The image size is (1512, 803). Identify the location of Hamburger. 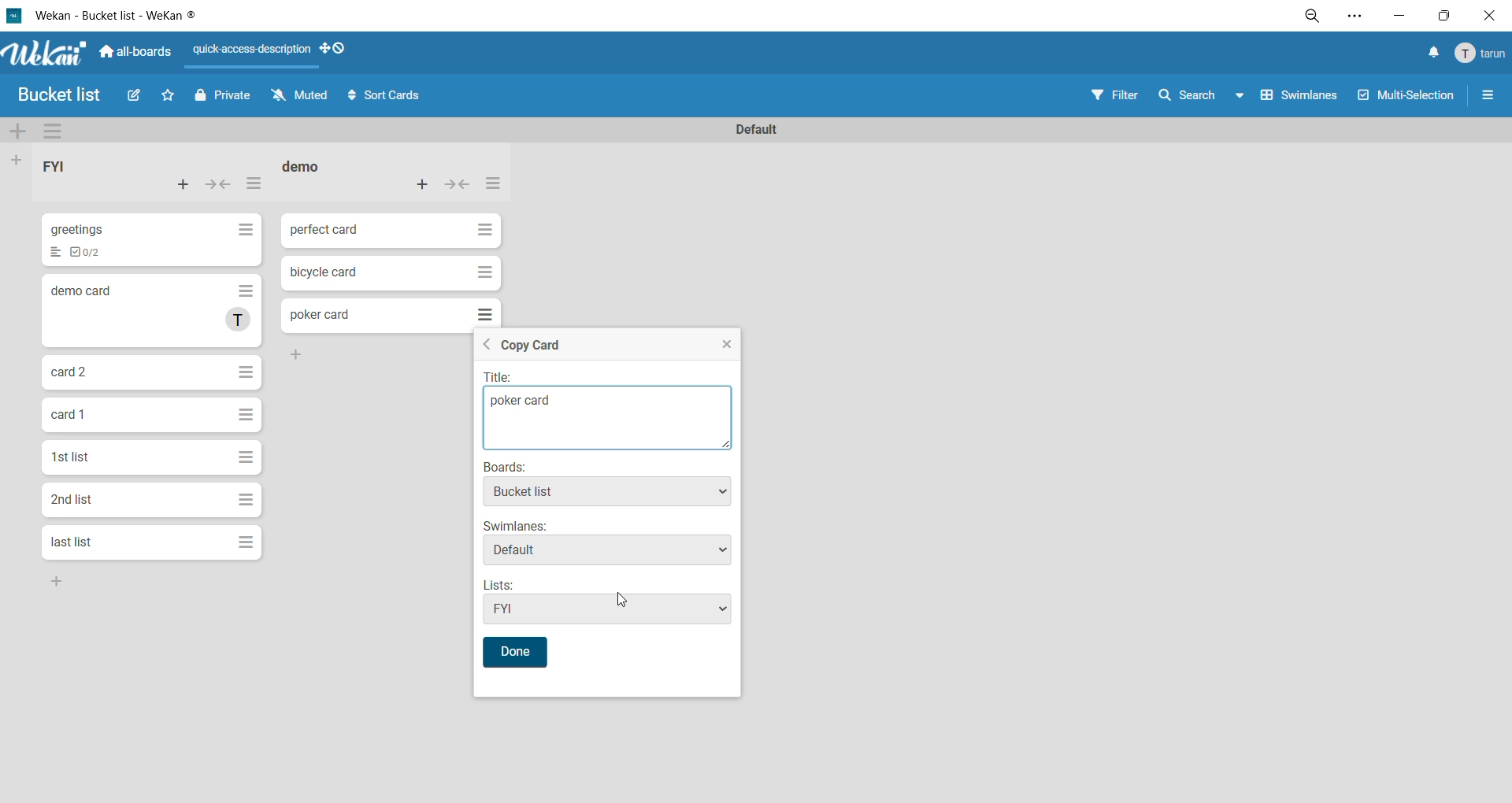
(246, 230).